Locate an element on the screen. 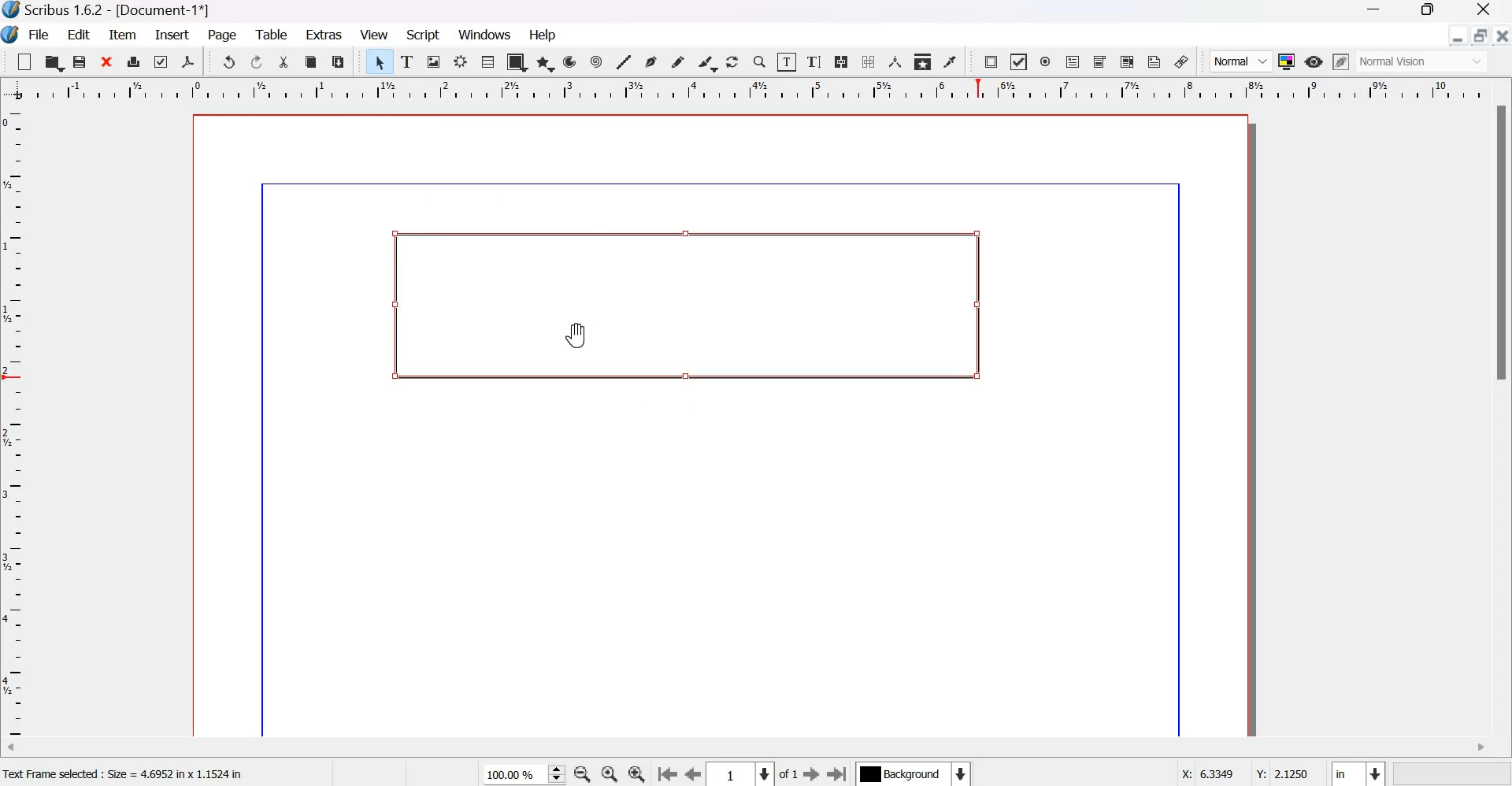 This screenshot has height=786, width=1512. redo is located at coordinates (258, 62).